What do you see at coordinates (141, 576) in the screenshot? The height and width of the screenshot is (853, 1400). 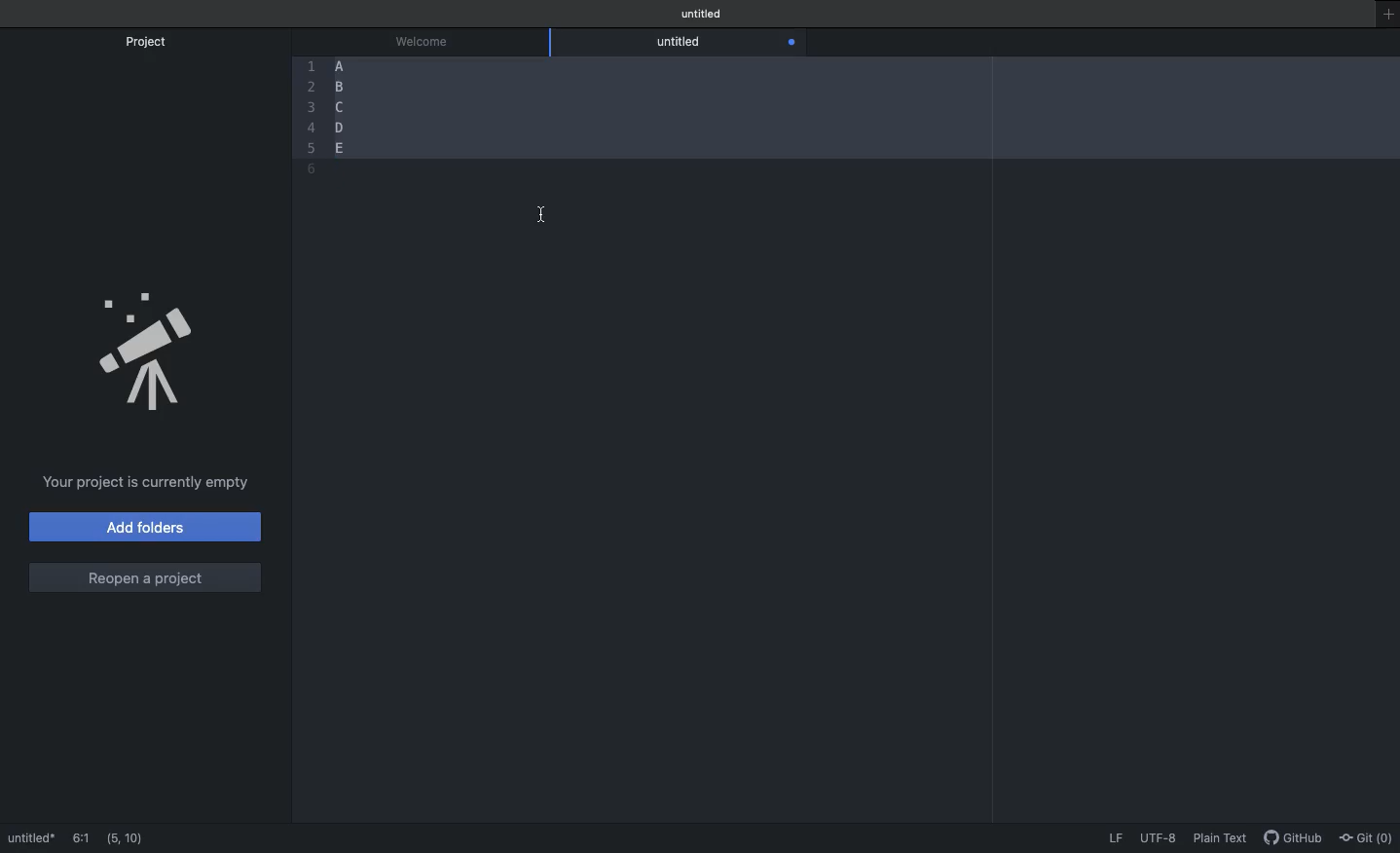 I see `Reopen a project` at bounding box center [141, 576].